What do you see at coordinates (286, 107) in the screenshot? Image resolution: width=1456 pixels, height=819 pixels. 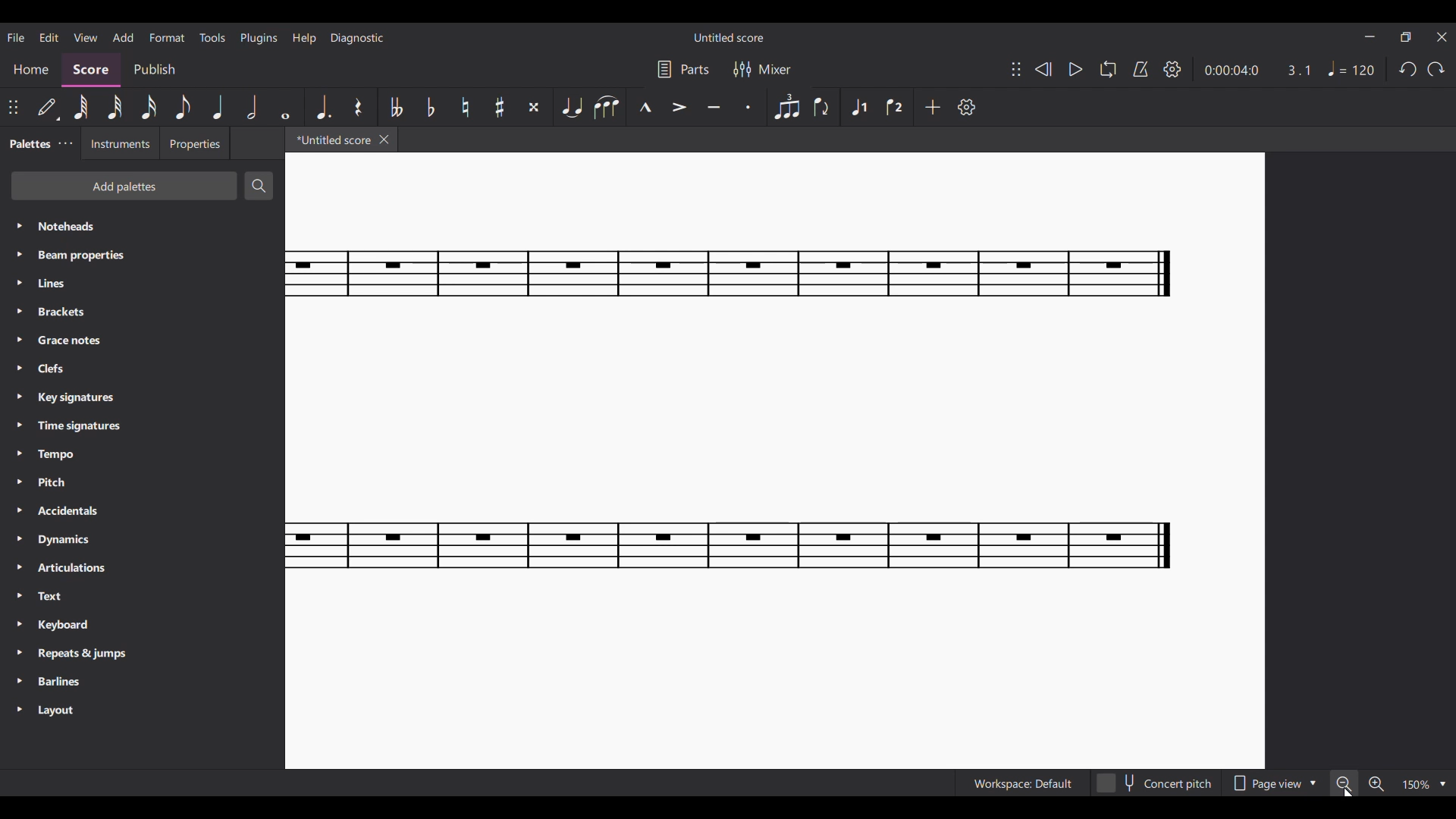 I see `Whole note` at bounding box center [286, 107].